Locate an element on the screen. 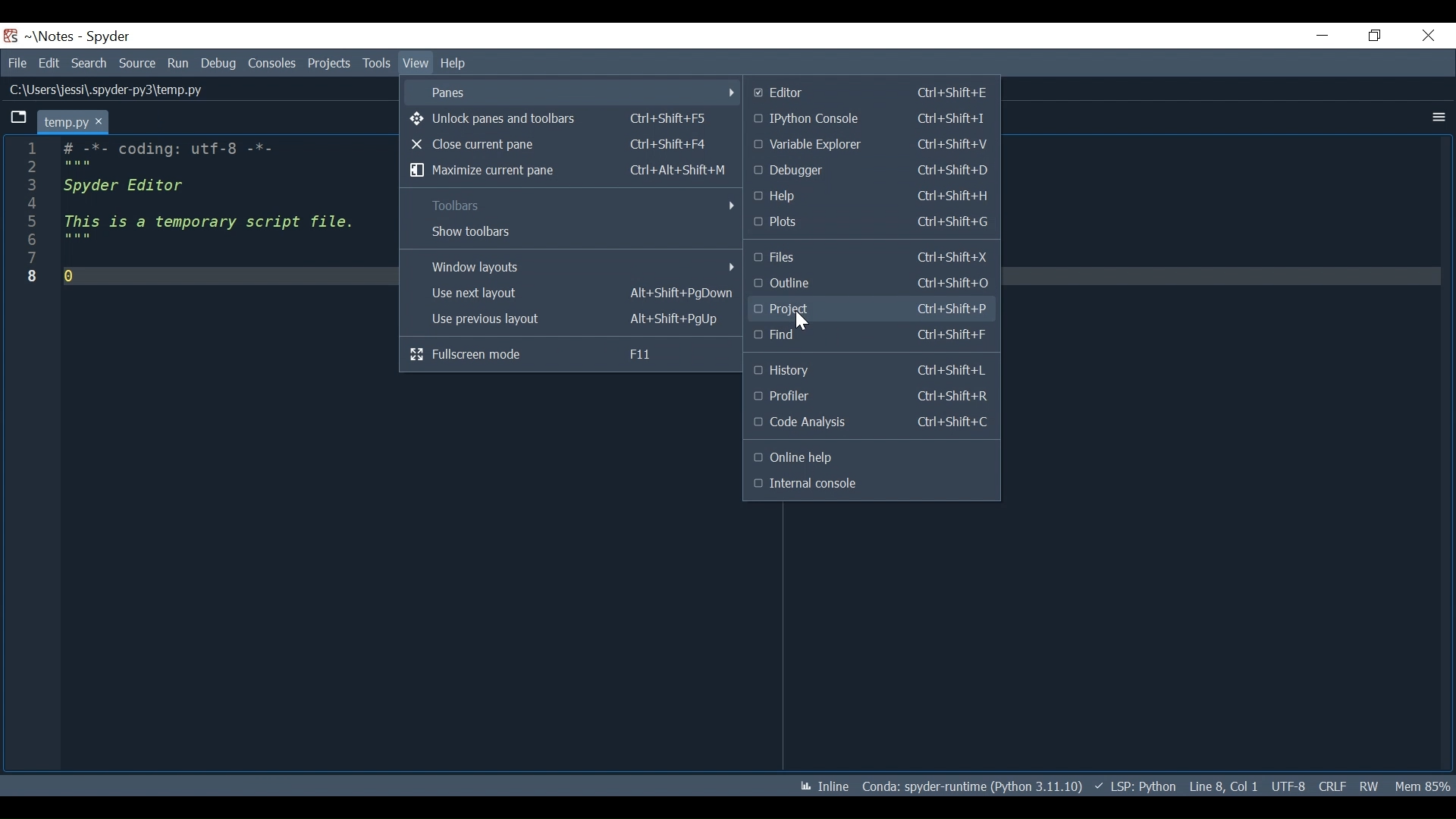 This screenshot has height=819, width=1456. Spyder Desktop Icon is located at coordinates (10, 36).